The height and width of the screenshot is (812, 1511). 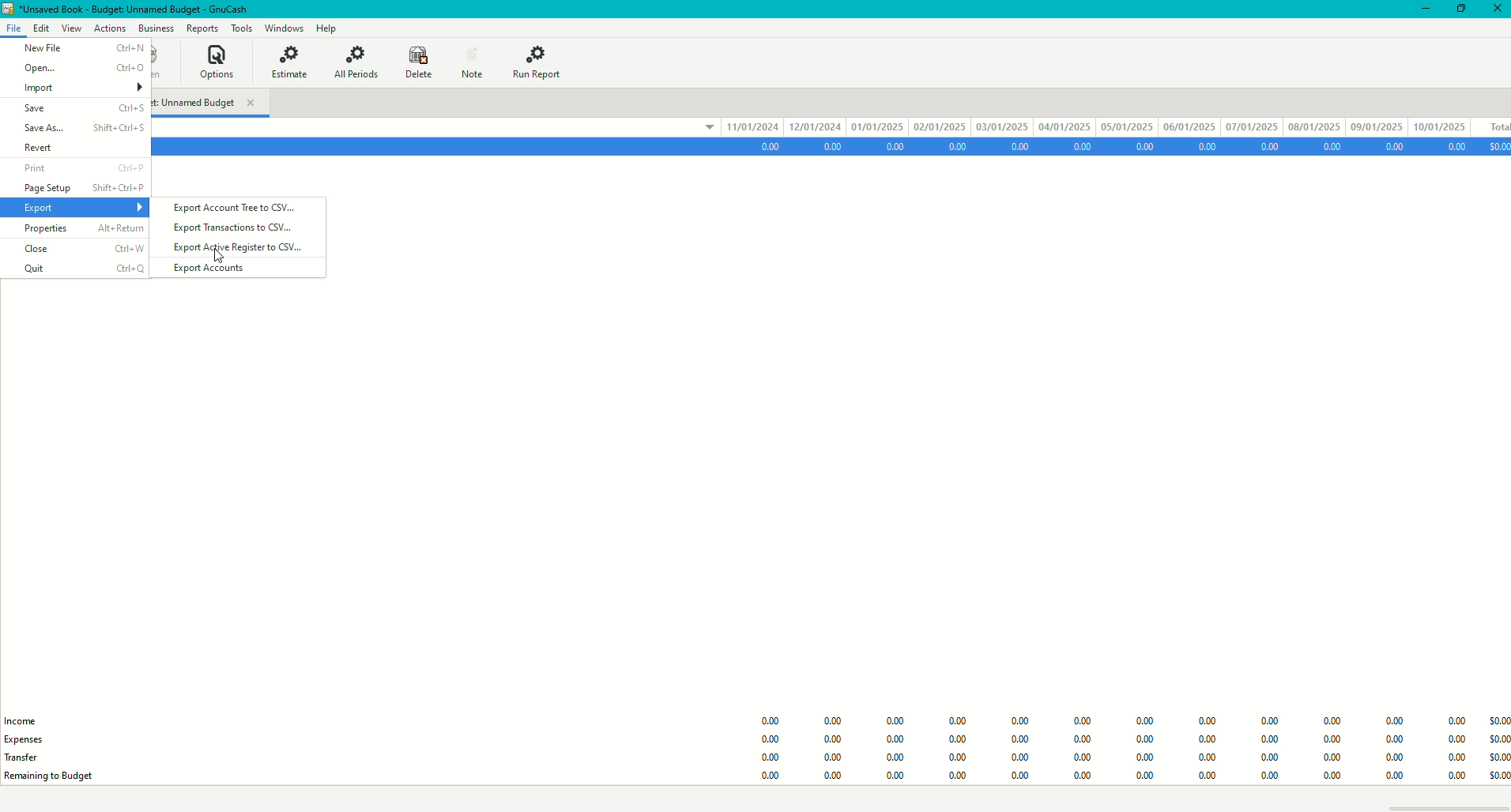 What do you see at coordinates (1100, 125) in the screenshot?
I see `dates` at bounding box center [1100, 125].